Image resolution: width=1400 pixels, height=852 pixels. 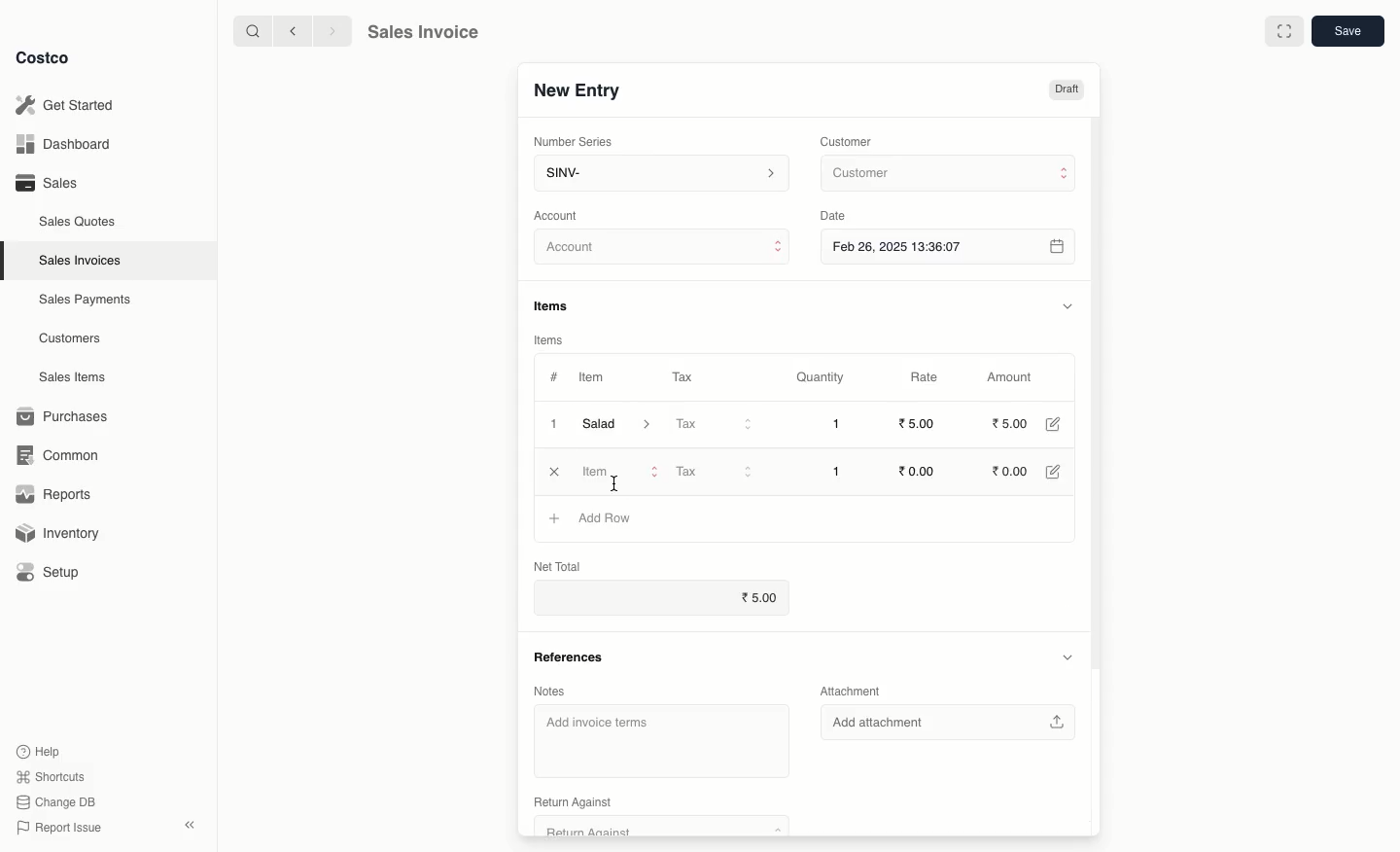 What do you see at coordinates (661, 737) in the screenshot?
I see `‘Add invoice terms` at bounding box center [661, 737].